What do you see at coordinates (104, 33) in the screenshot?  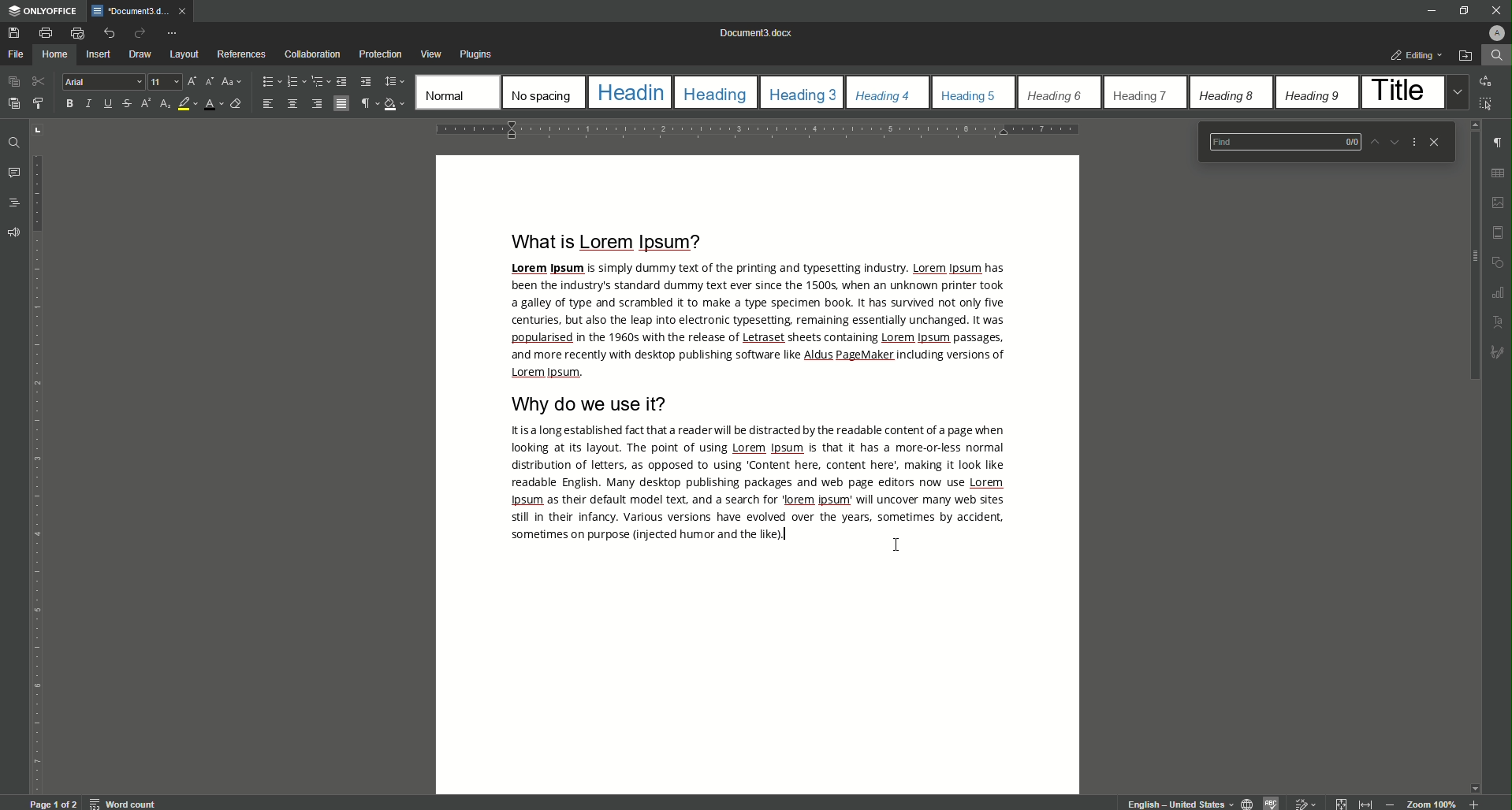 I see `Undo` at bounding box center [104, 33].